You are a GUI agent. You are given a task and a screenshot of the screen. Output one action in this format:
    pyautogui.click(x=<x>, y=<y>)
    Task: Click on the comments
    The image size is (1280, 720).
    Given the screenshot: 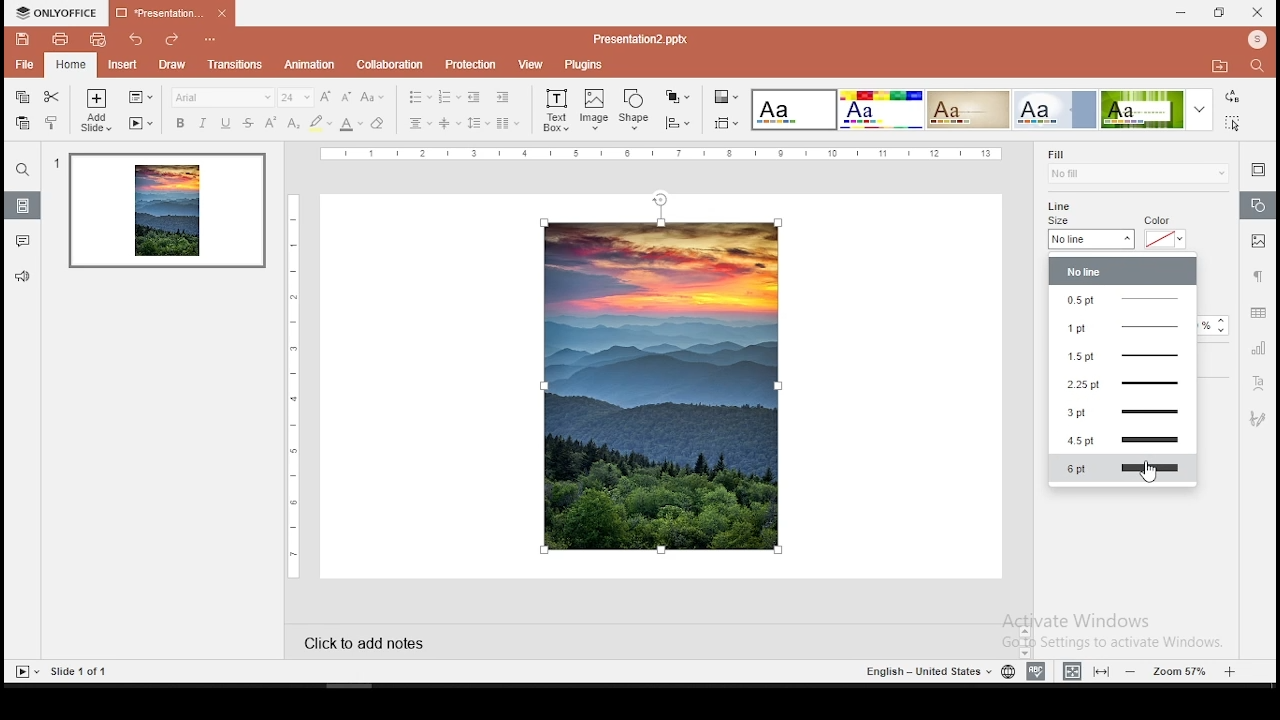 What is the action you would take?
    pyautogui.click(x=24, y=240)
    